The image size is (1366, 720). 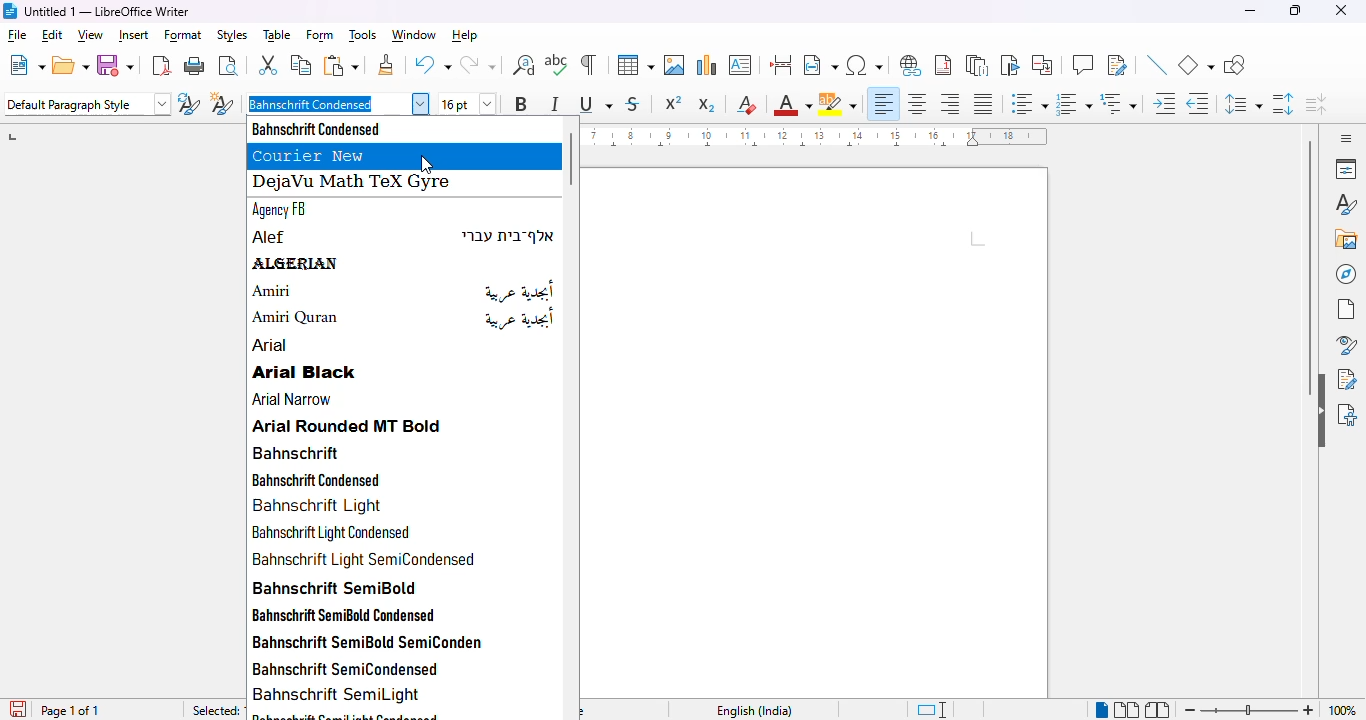 What do you see at coordinates (342, 65) in the screenshot?
I see `paste` at bounding box center [342, 65].